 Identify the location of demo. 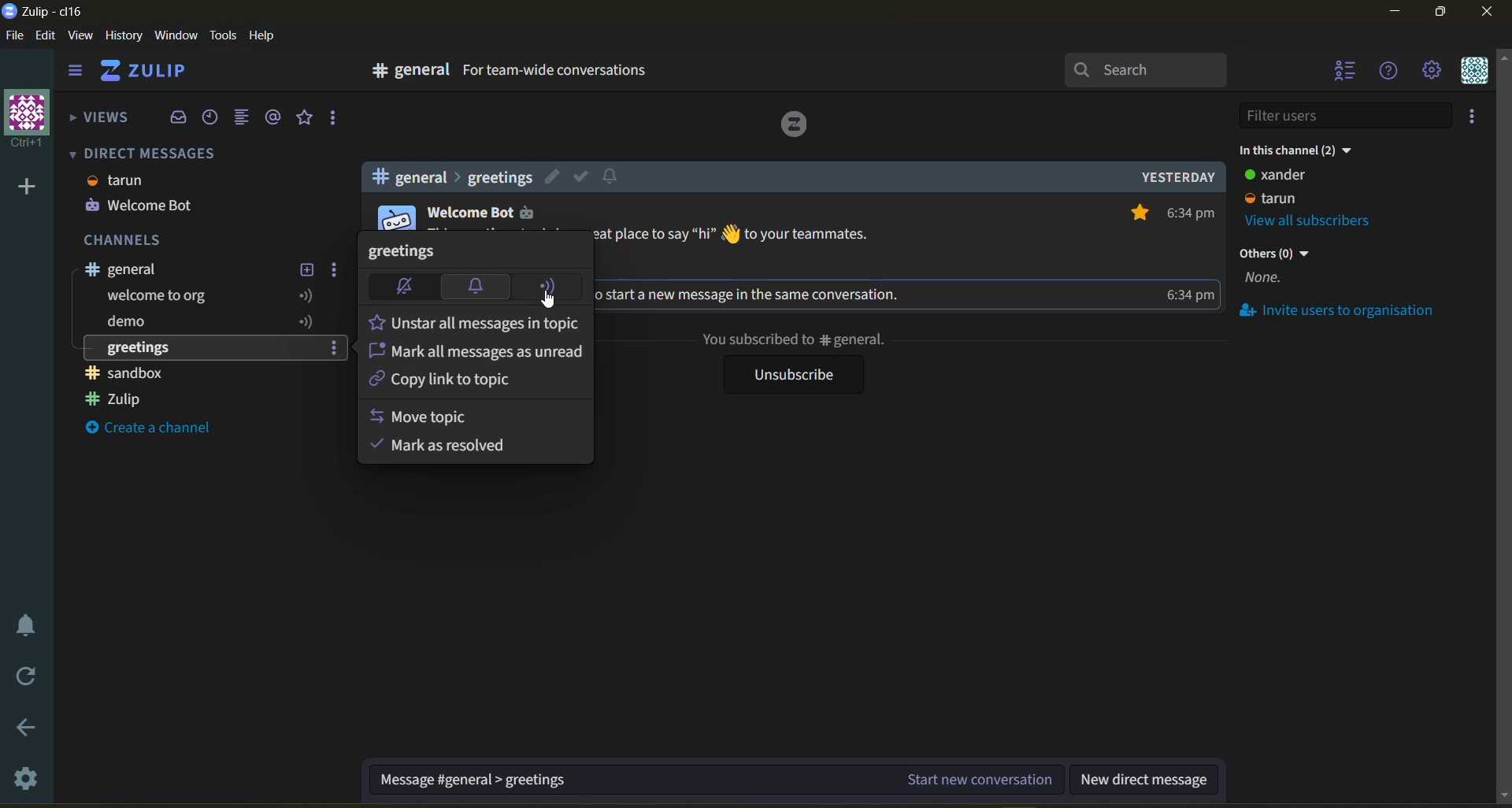
(142, 325).